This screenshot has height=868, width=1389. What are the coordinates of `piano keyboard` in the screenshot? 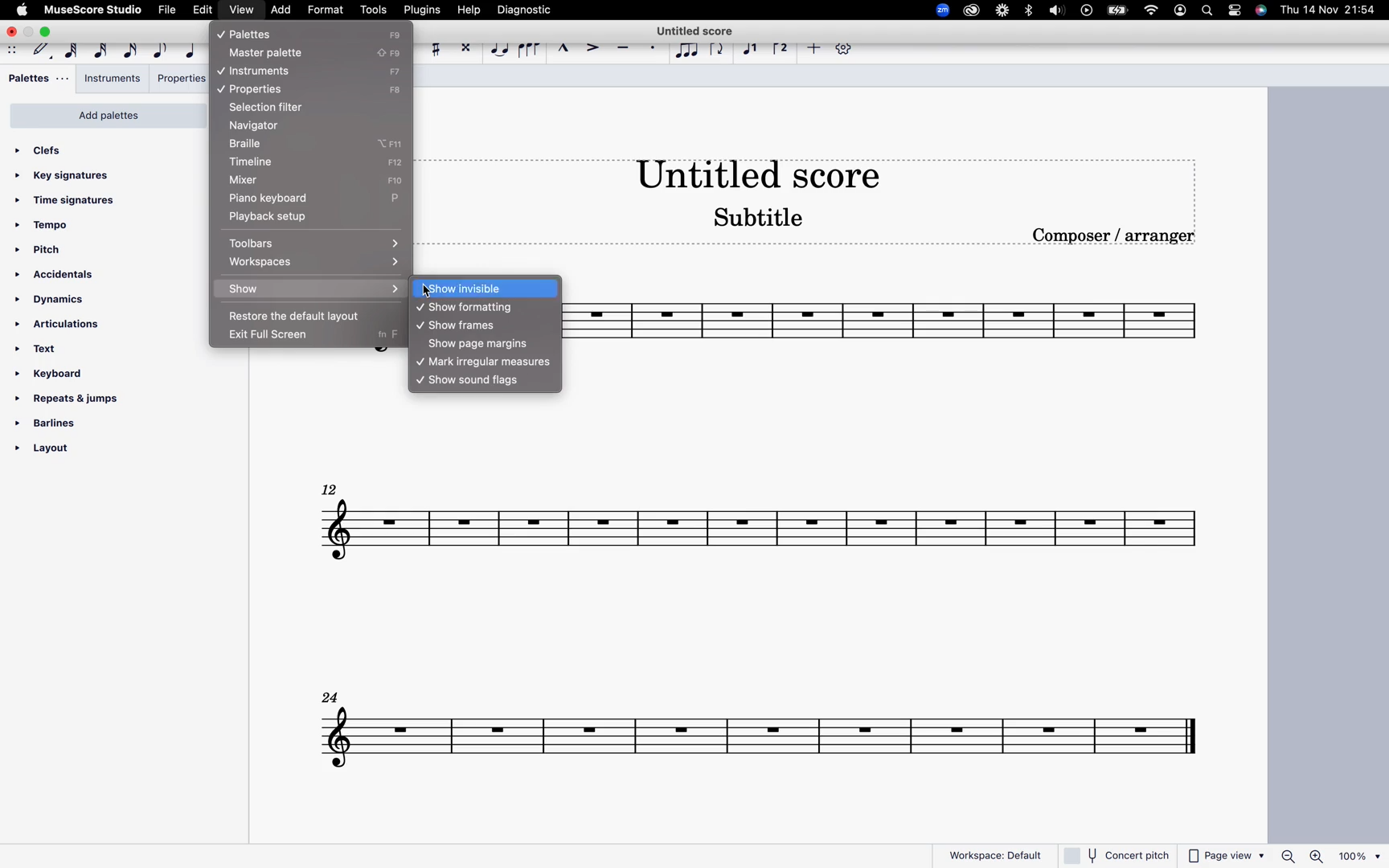 It's located at (289, 198).